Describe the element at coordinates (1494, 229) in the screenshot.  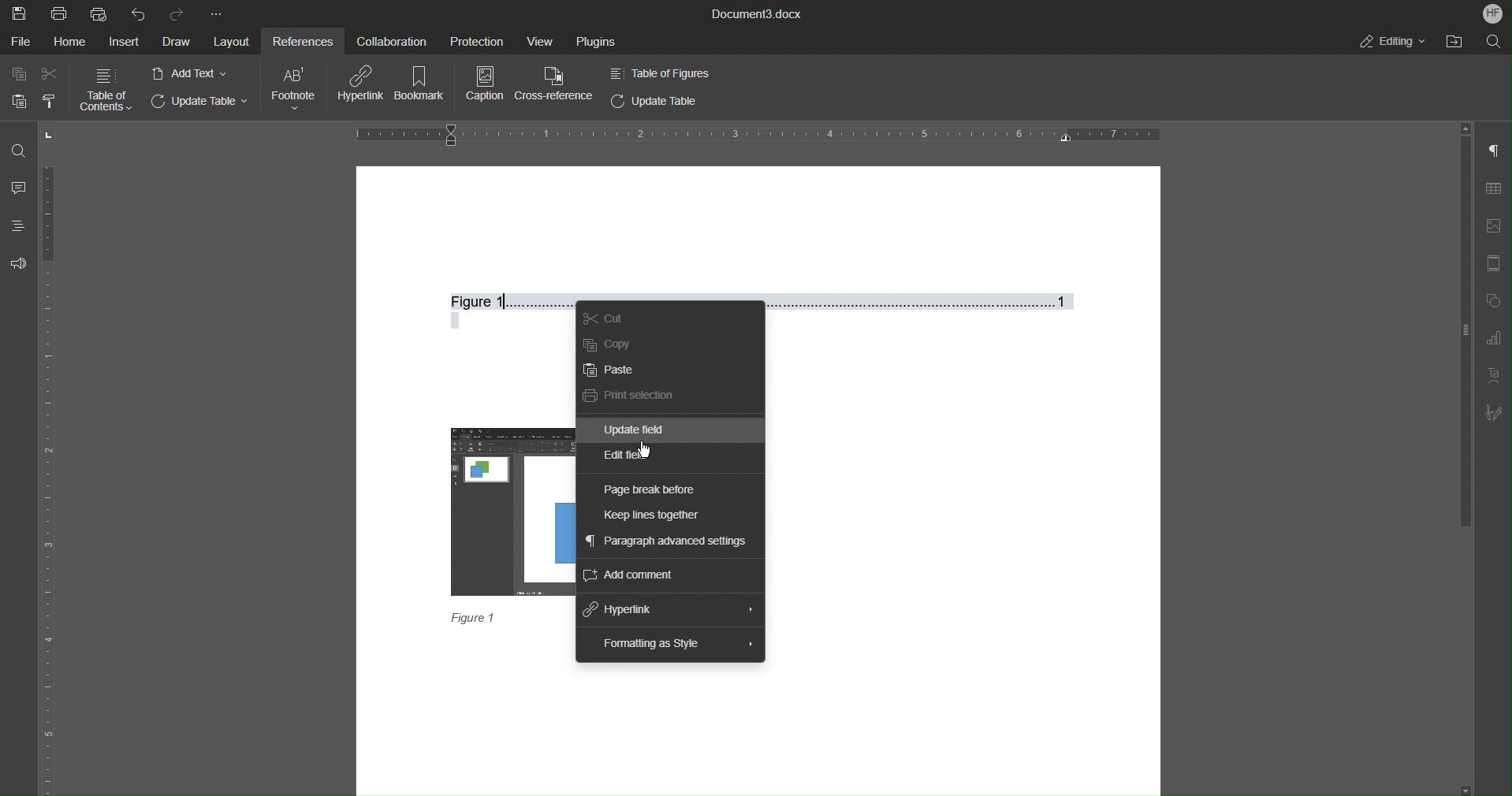
I see `Image Settings` at that location.